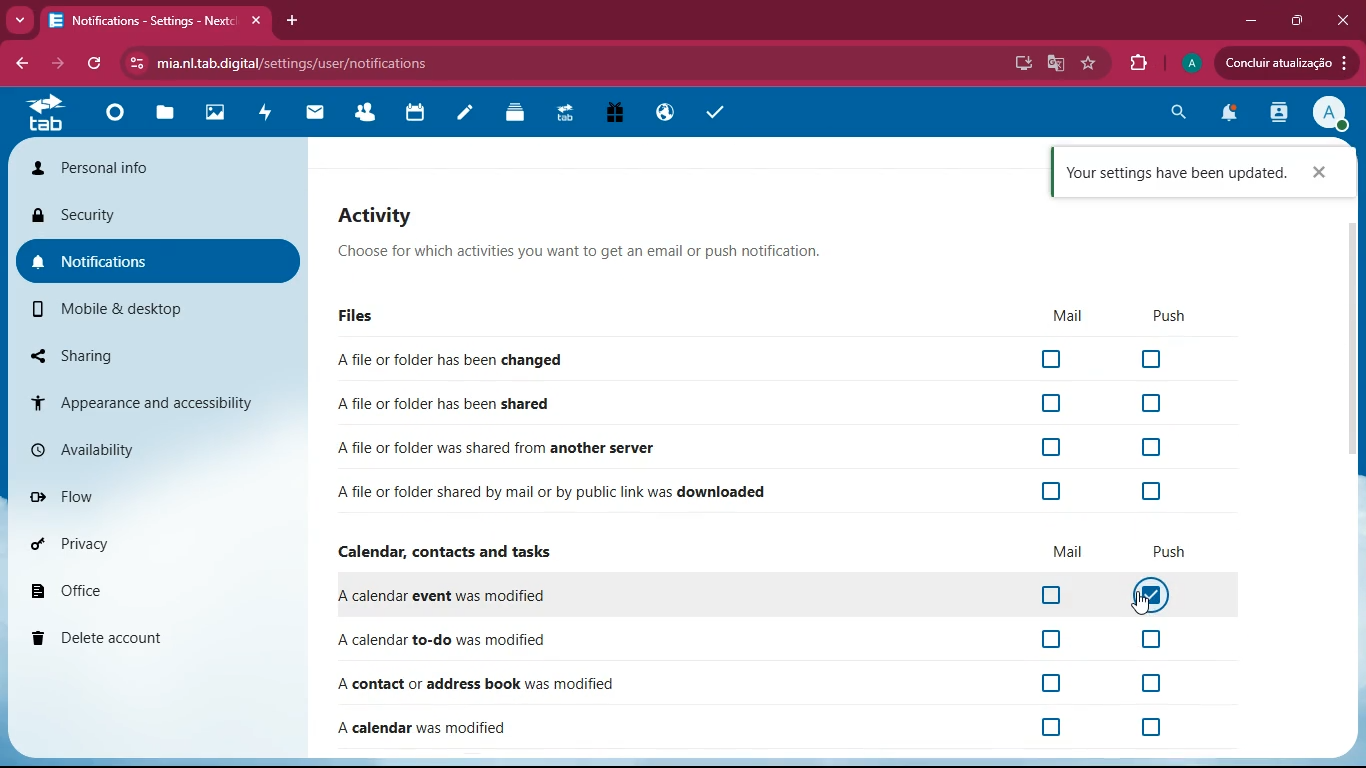 The width and height of the screenshot is (1366, 768). Describe the element at coordinates (142, 311) in the screenshot. I see `mobile & desktop` at that location.